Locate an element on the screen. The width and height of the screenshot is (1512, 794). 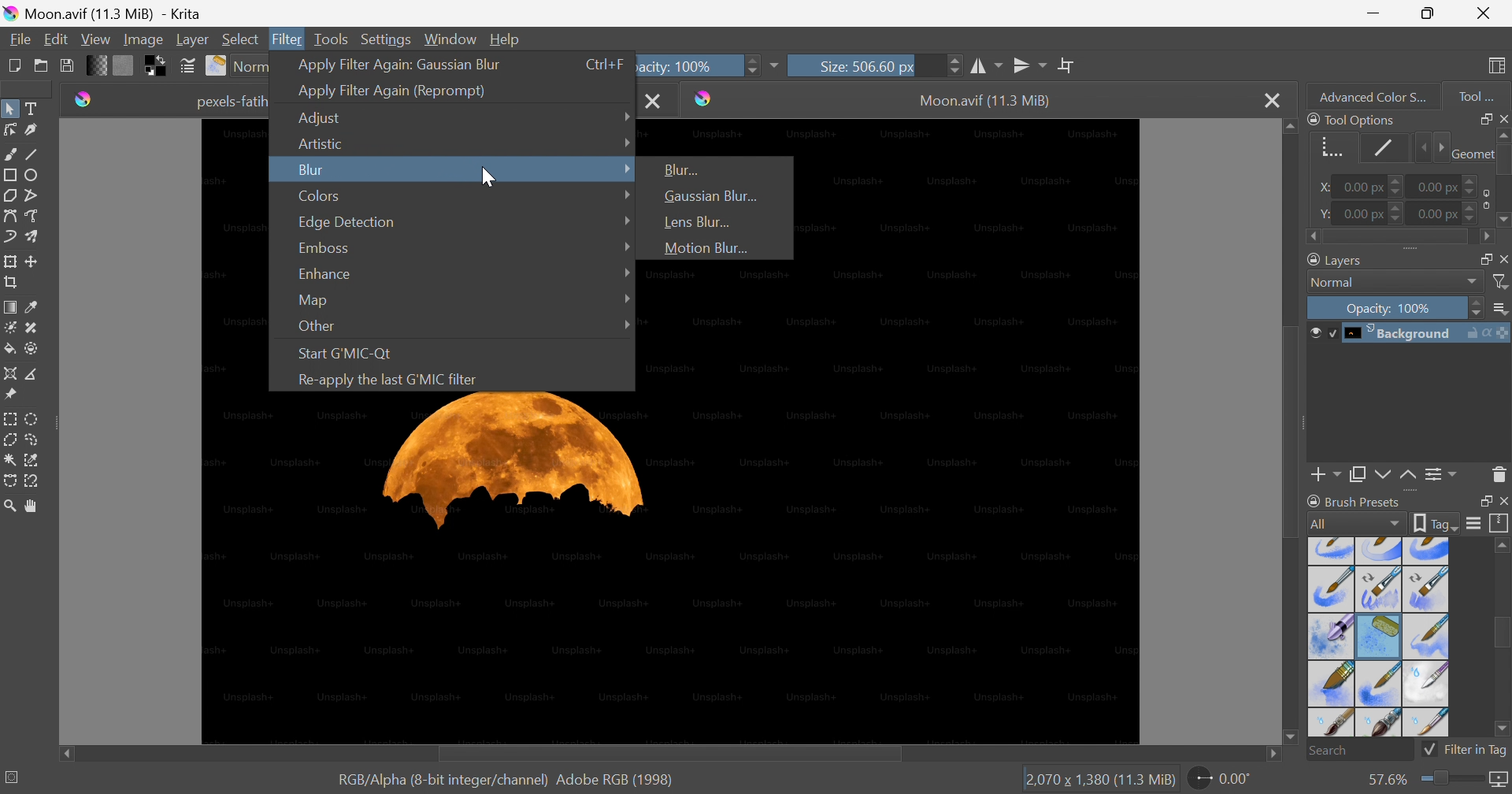
Filter in Tag is located at coordinates (1465, 752).